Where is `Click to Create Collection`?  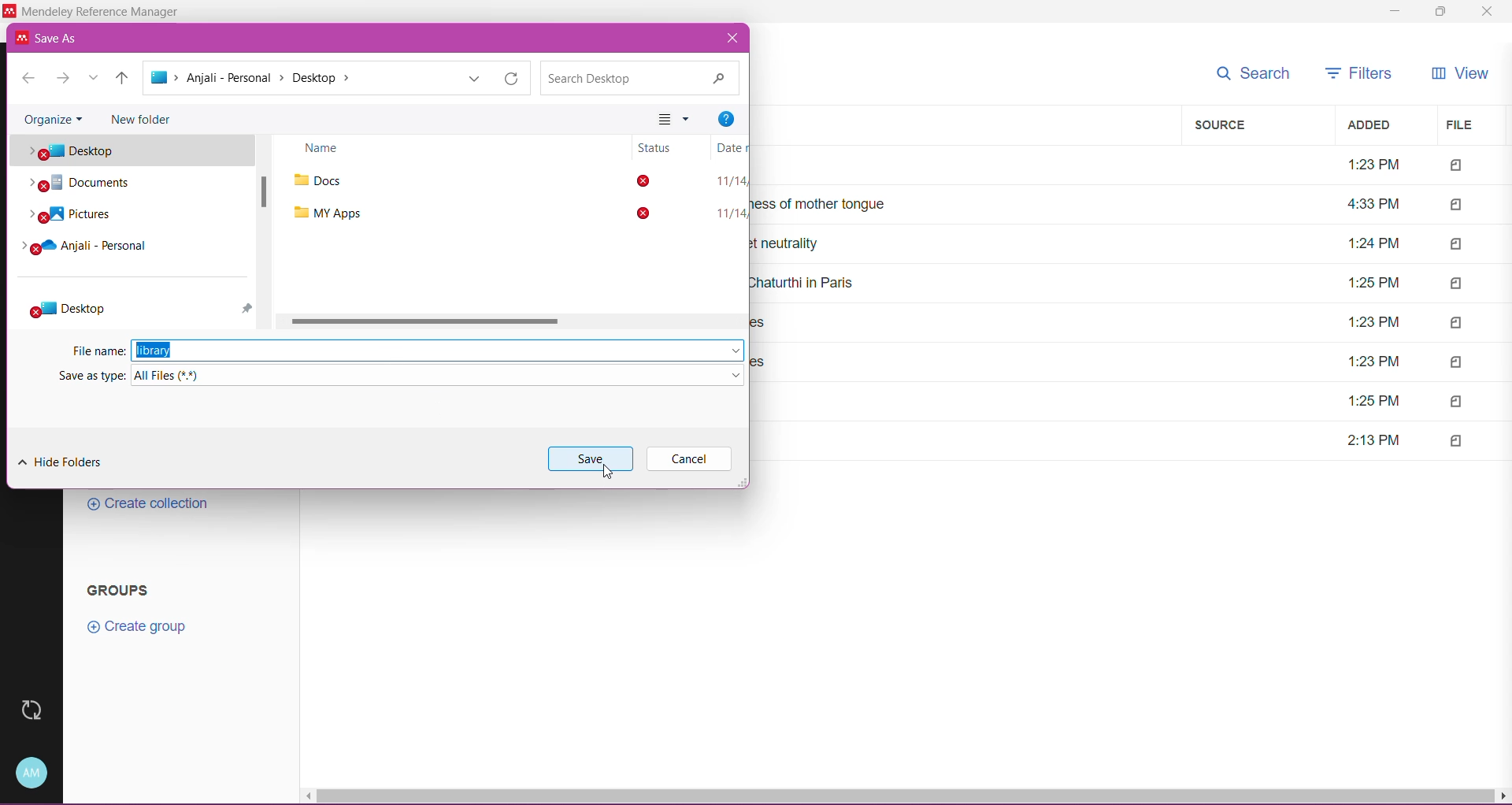 Click to Create Collection is located at coordinates (149, 506).